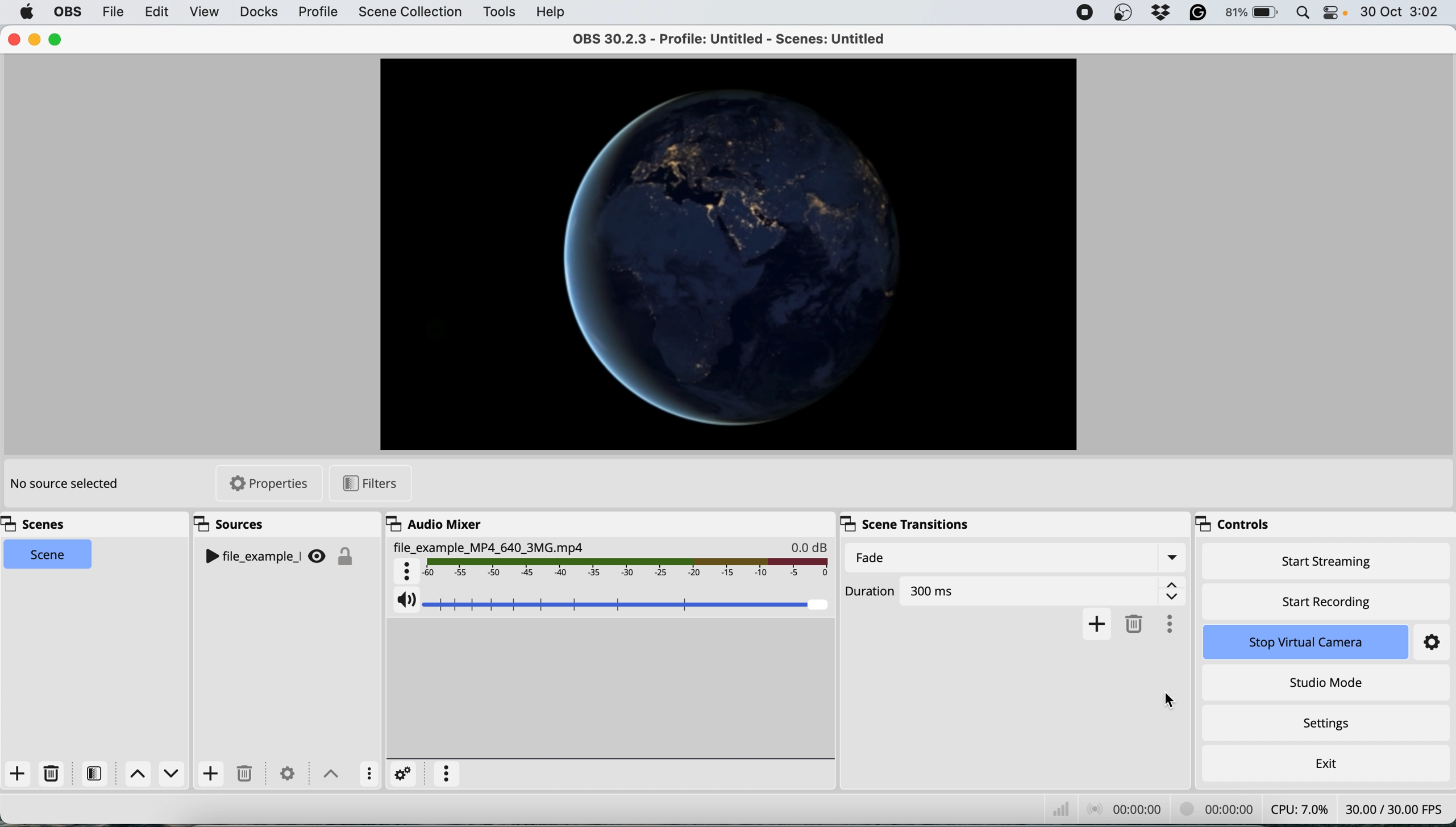 Image resolution: width=1456 pixels, height=827 pixels. Describe the element at coordinates (611, 600) in the screenshot. I see `source audio volume` at that location.